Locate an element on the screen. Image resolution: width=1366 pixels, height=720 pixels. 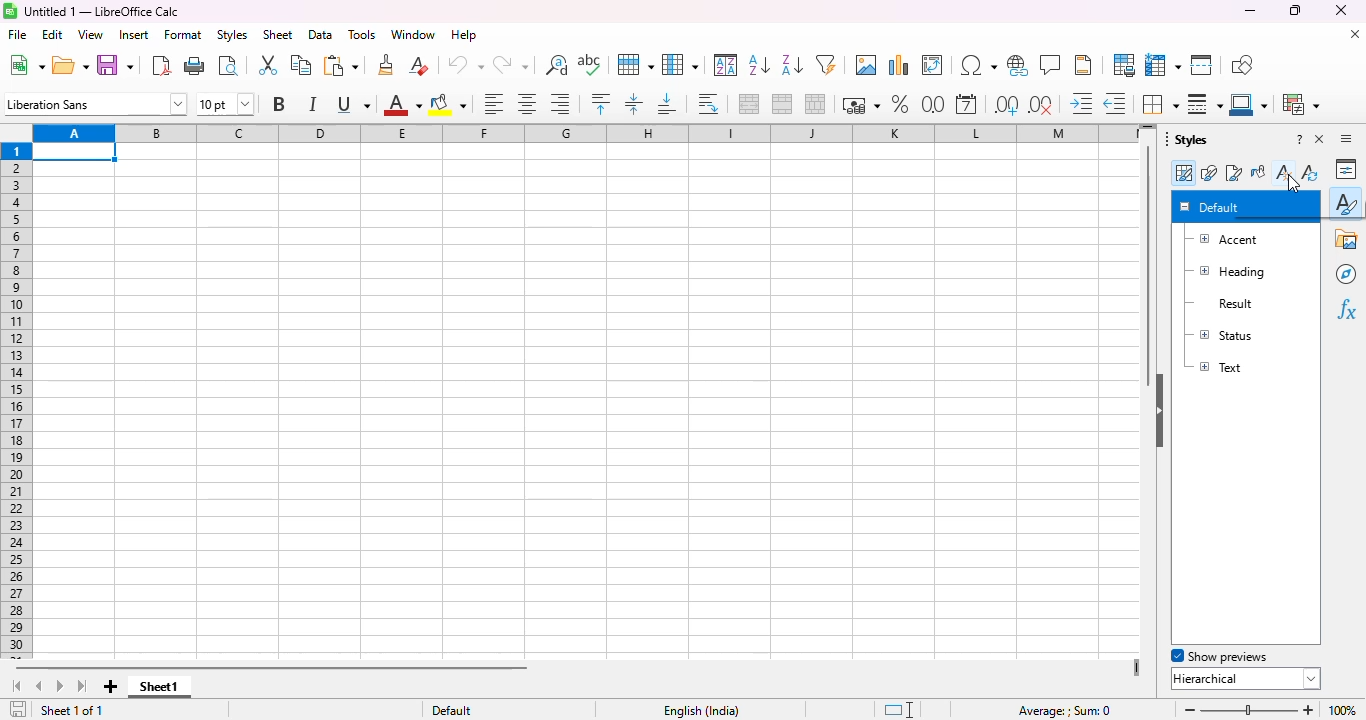
logo is located at coordinates (10, 11).